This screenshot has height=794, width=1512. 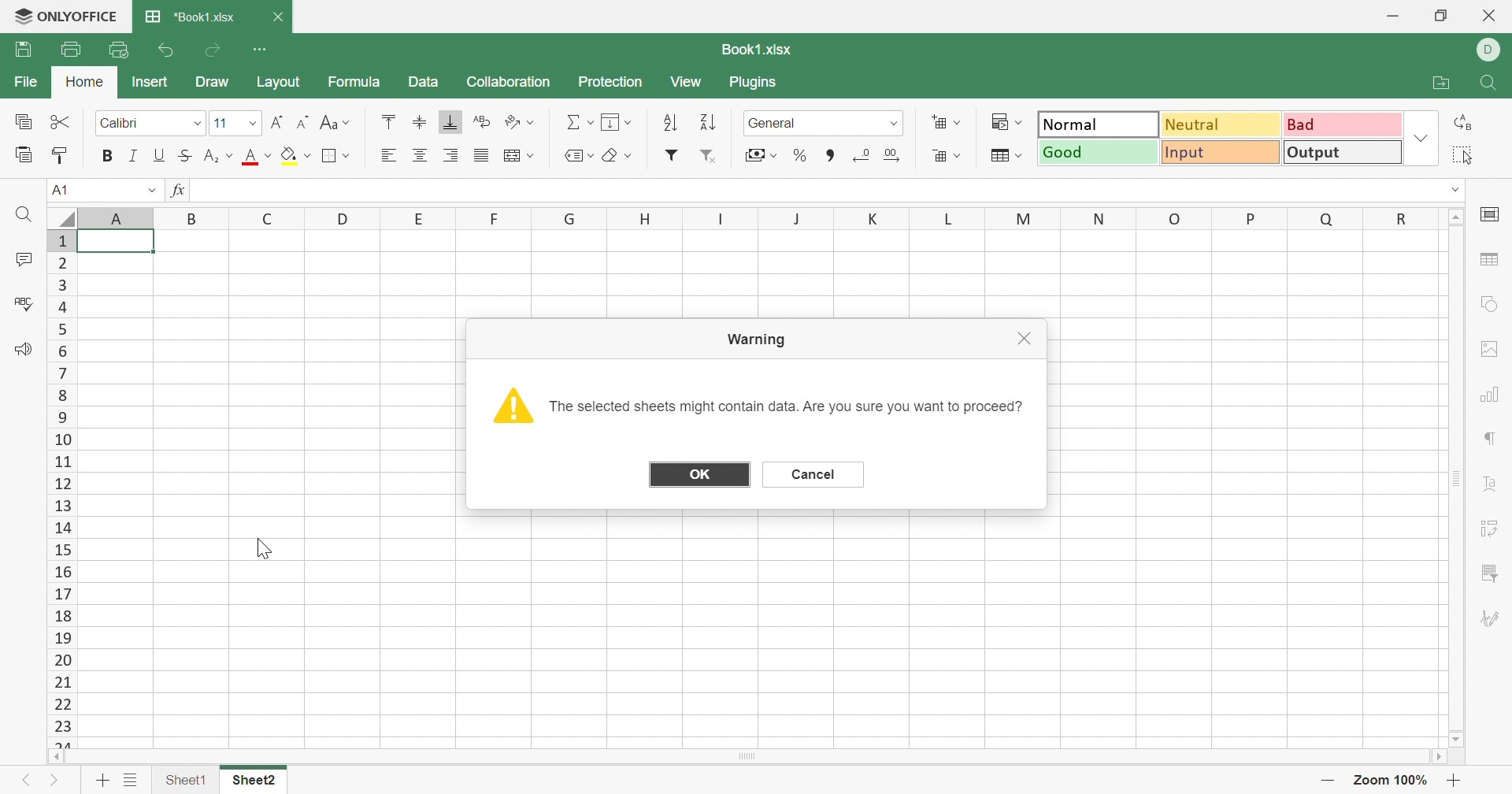 I want to click on Redo, so click(x=215, y=51).